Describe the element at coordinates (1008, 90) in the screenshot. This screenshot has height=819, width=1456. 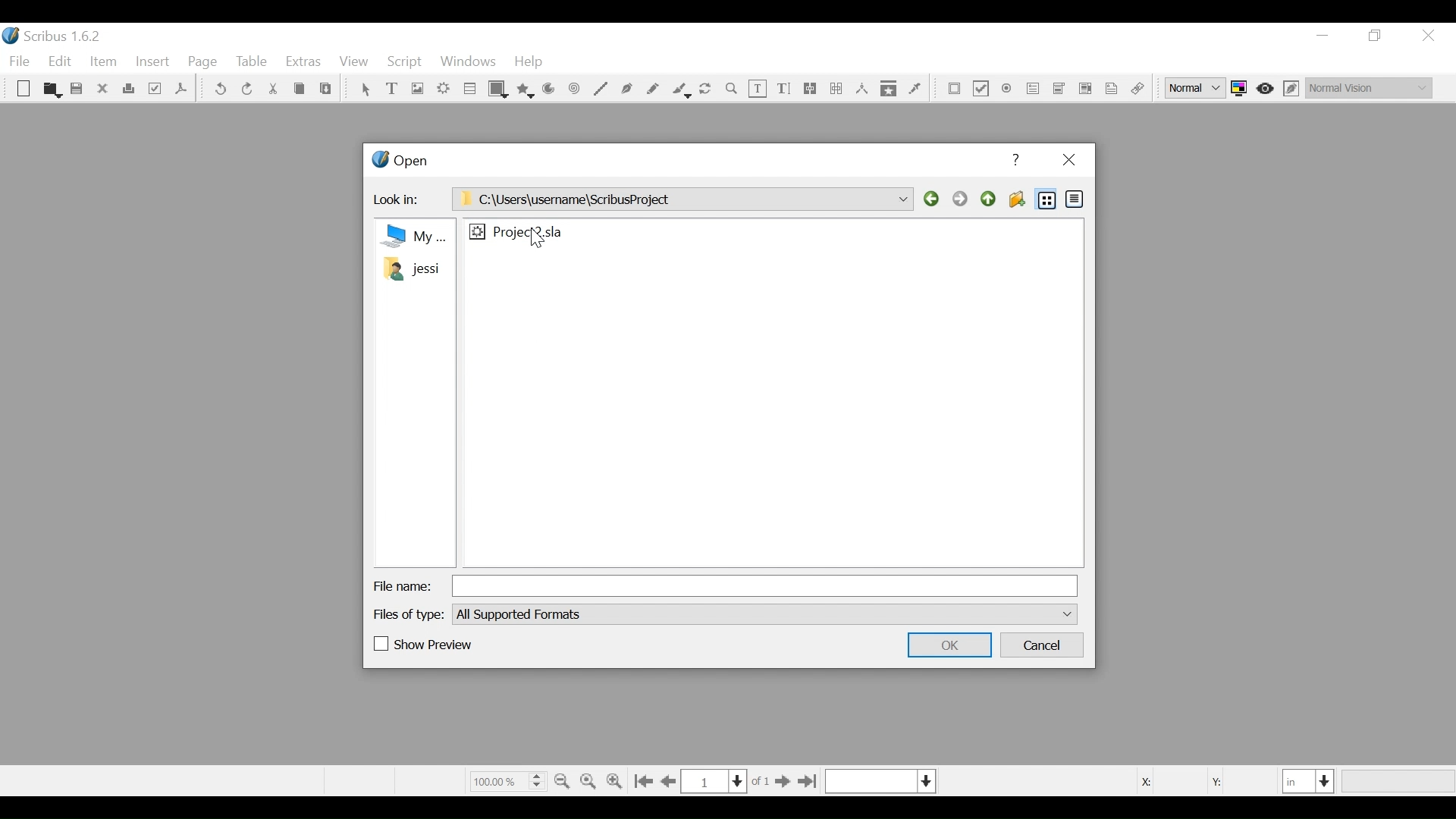
I see `PDF Radio Button` at that location.